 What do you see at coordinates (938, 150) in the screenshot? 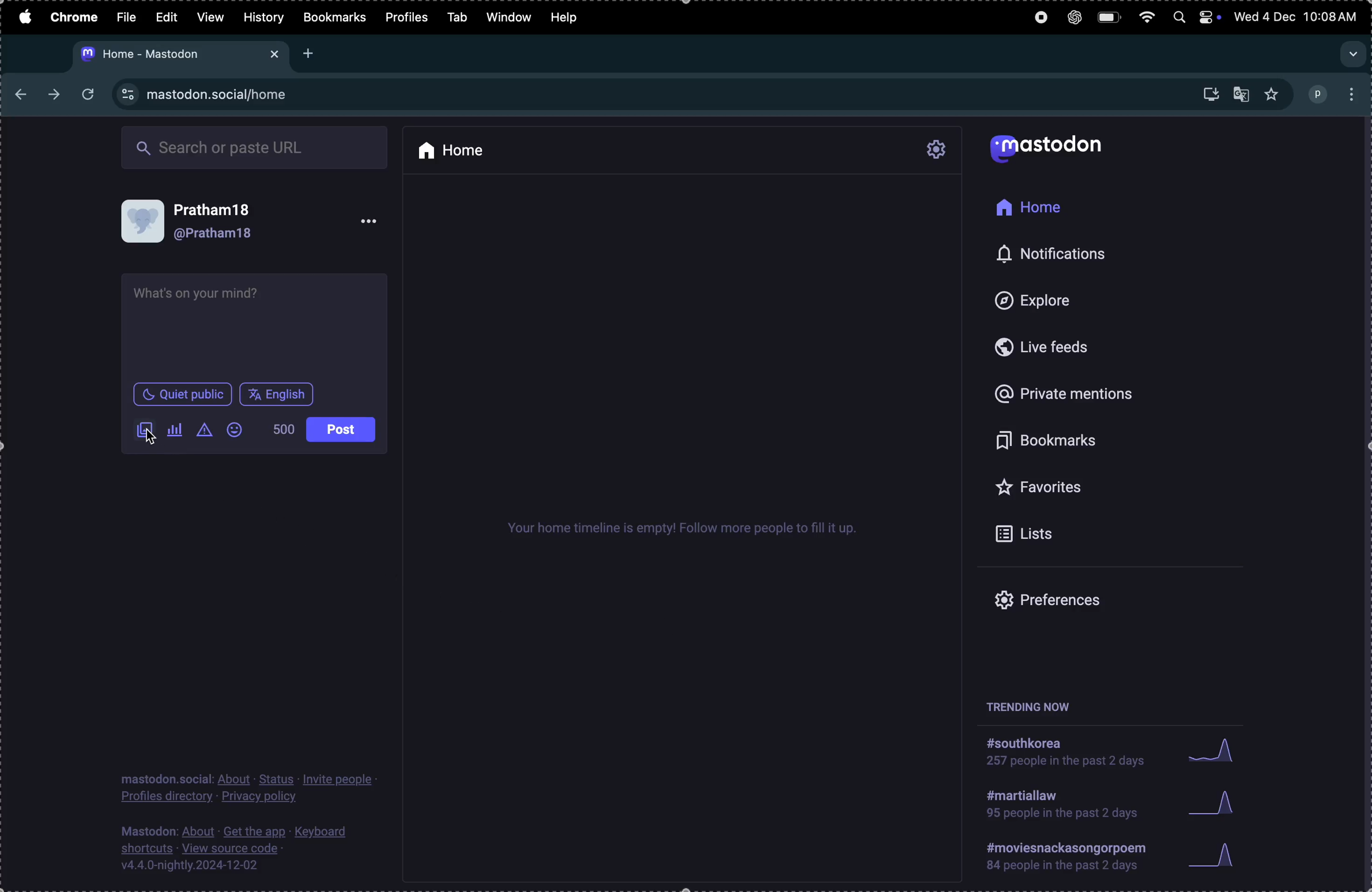
I see `setting` at bounding box center [938, 150].